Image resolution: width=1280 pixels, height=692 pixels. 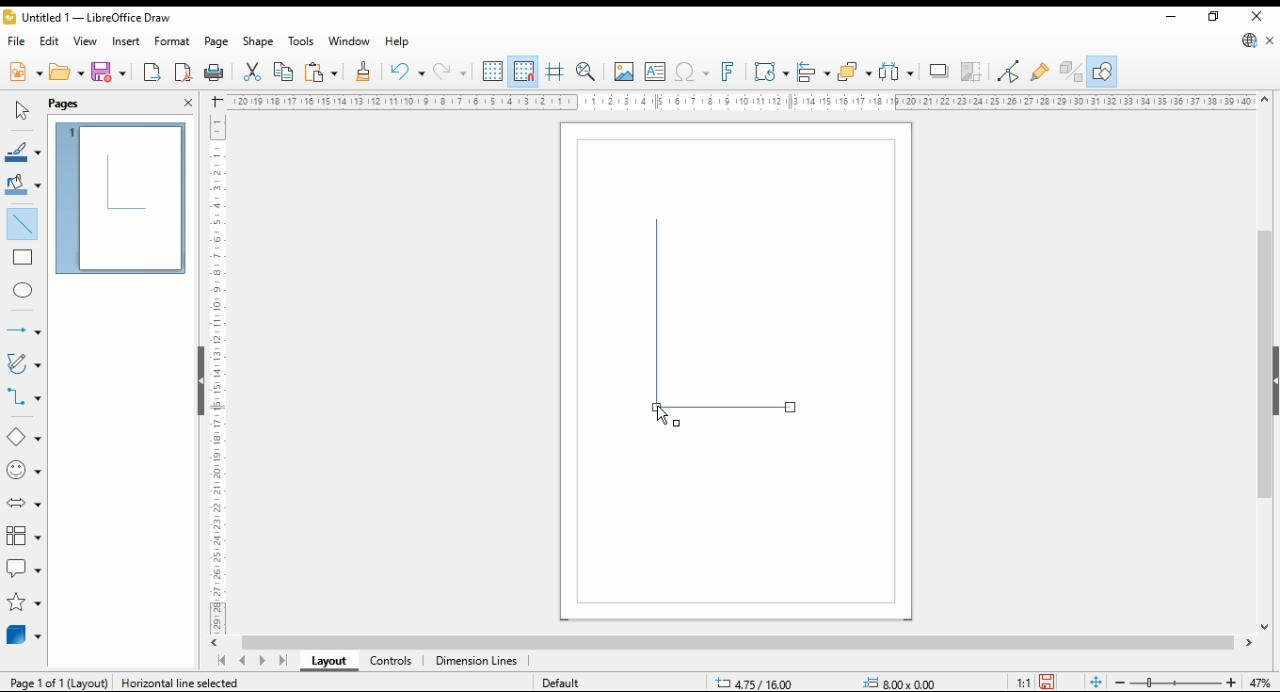 What do you see at coordinates (752, 681) in the screenshot?
I see `screen size` at bounding box center [752, 681].